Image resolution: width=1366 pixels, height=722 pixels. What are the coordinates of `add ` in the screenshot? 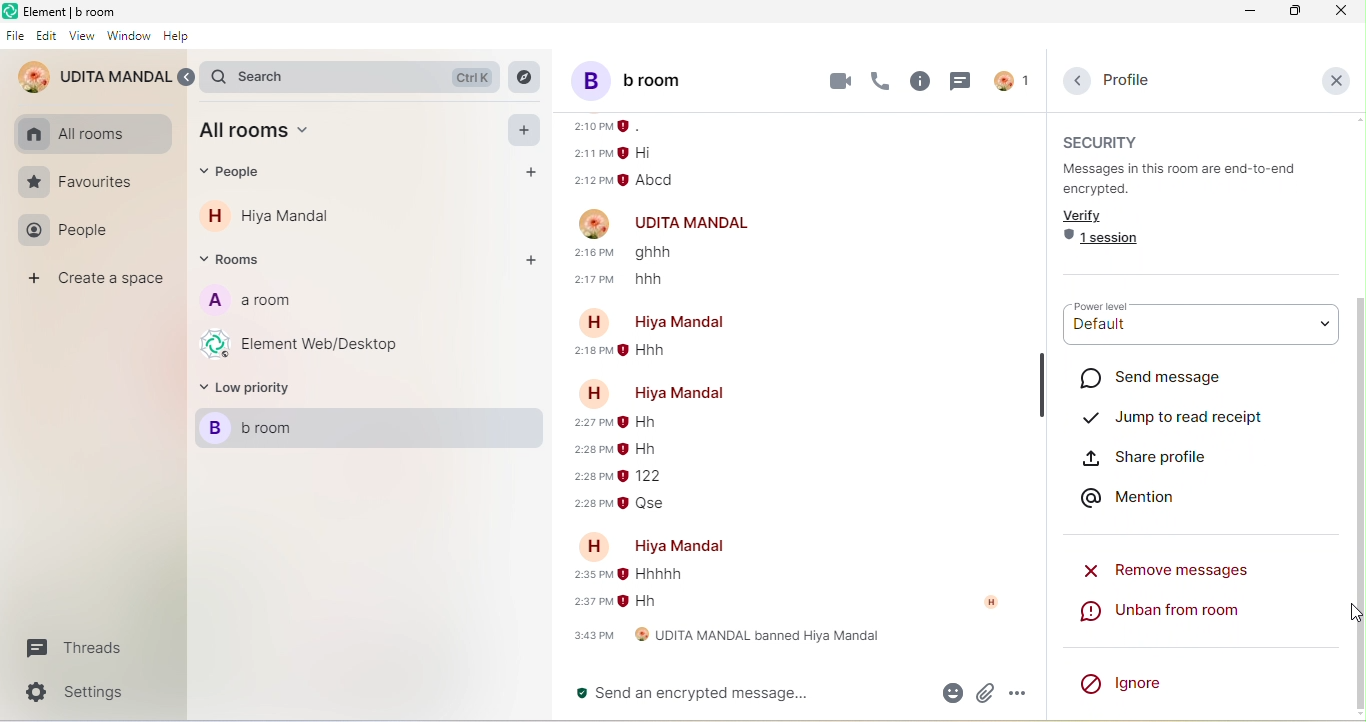 It's located at (527, 130).